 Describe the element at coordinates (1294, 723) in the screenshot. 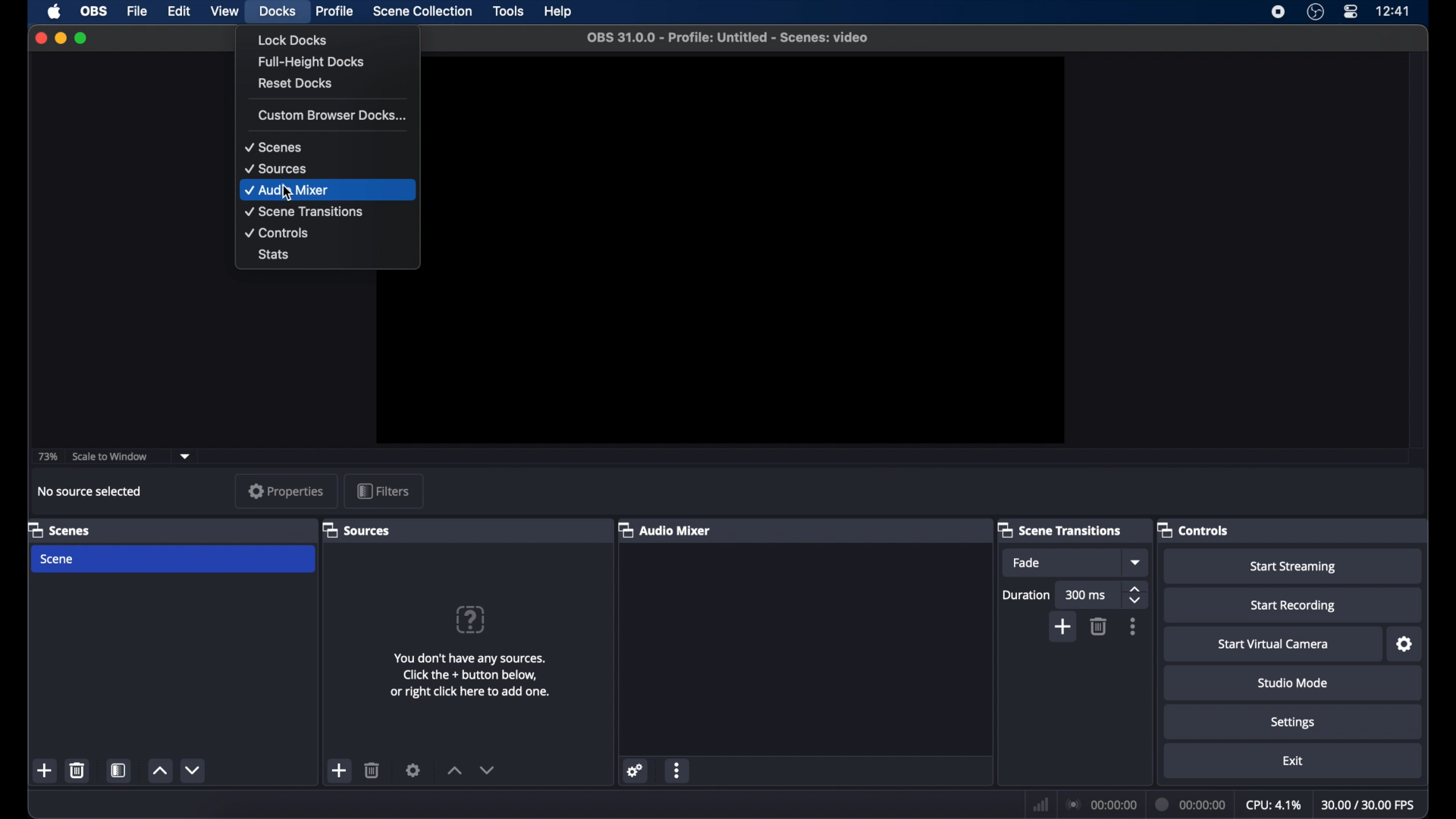

I see `settings` at that location.